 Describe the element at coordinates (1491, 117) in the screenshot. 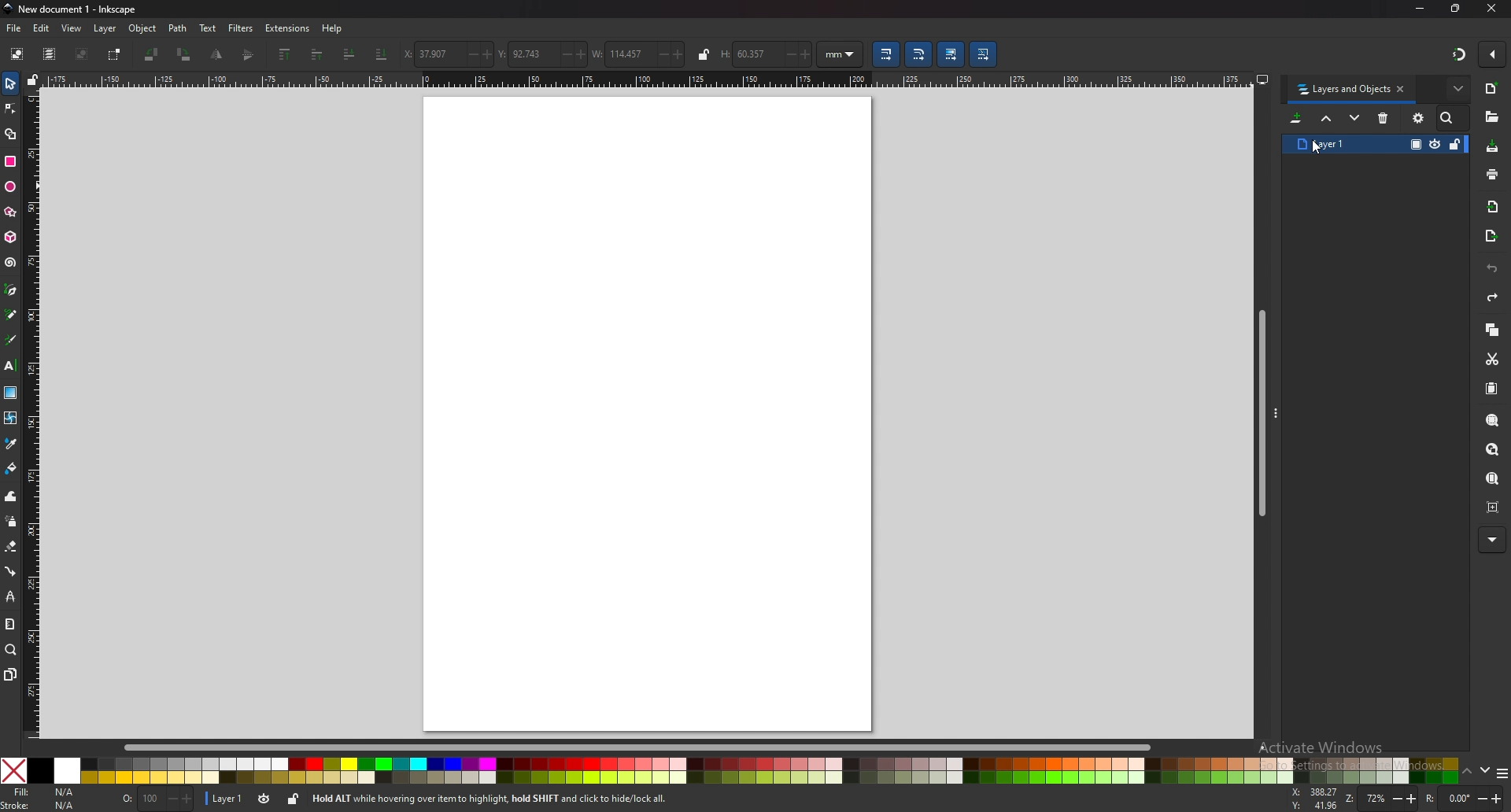

I see `open` at that location.